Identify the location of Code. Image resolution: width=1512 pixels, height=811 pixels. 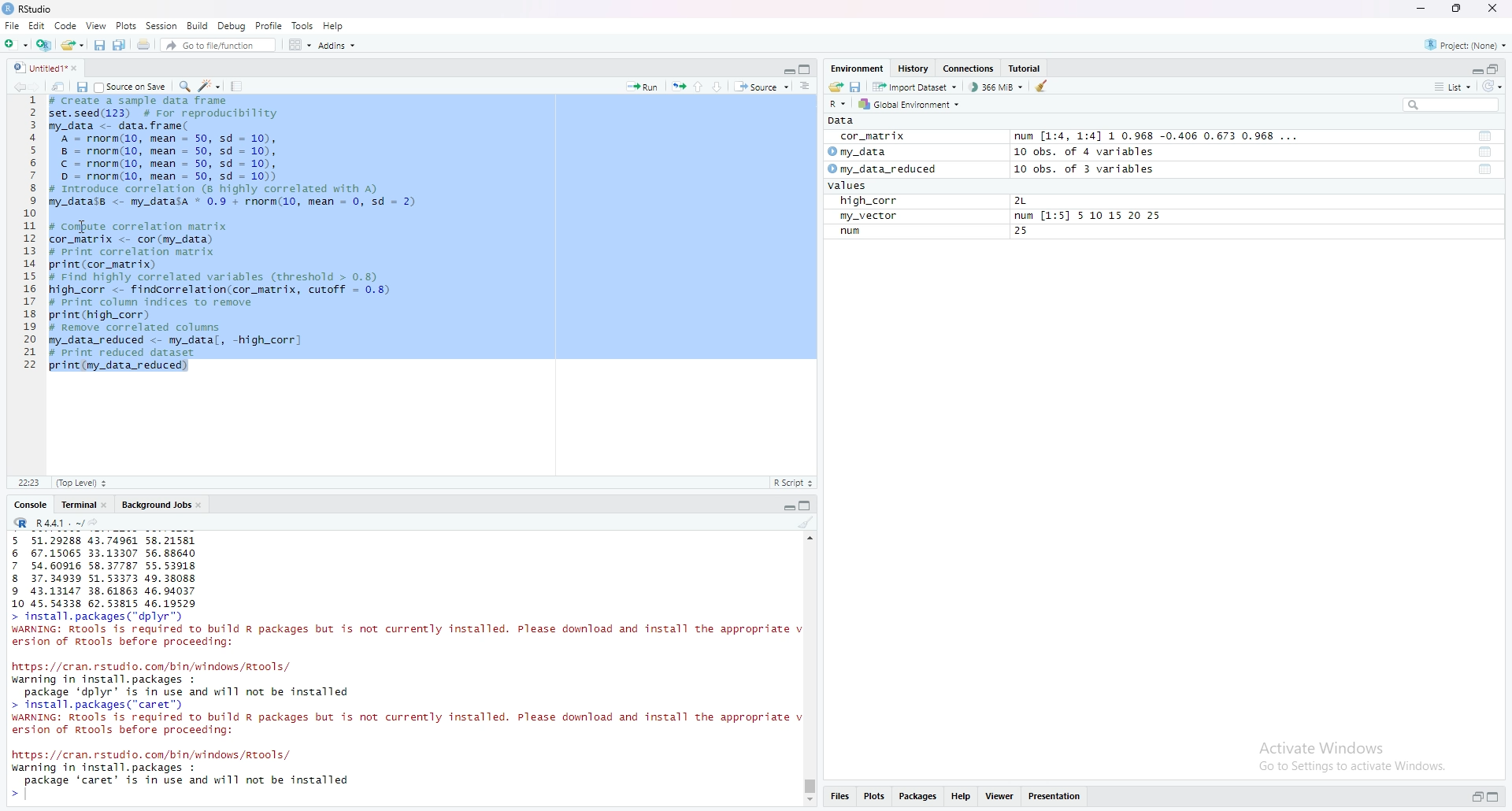
(68, 25).